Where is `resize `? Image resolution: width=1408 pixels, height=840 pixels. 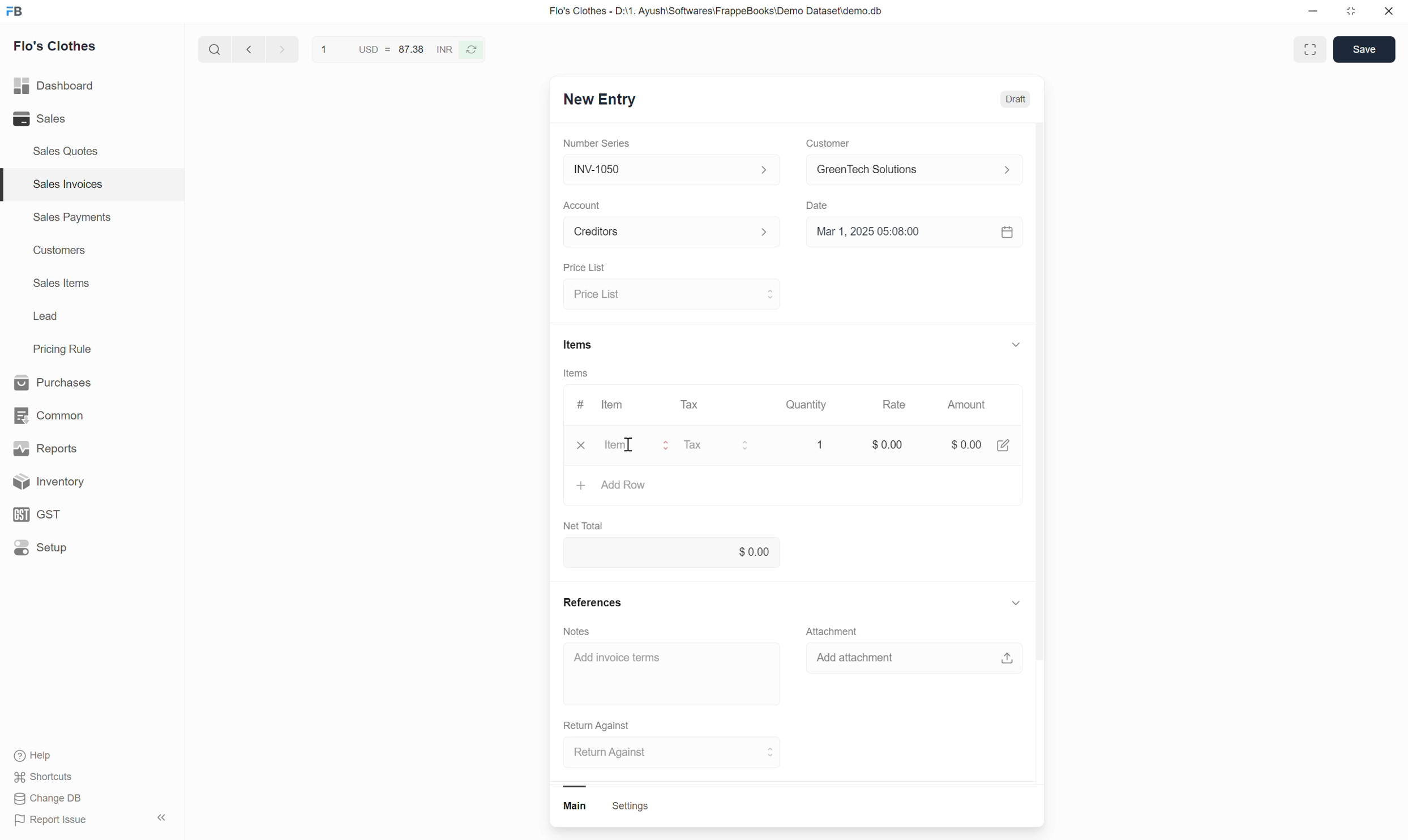 resize  is located at coordinates (1355, 14).